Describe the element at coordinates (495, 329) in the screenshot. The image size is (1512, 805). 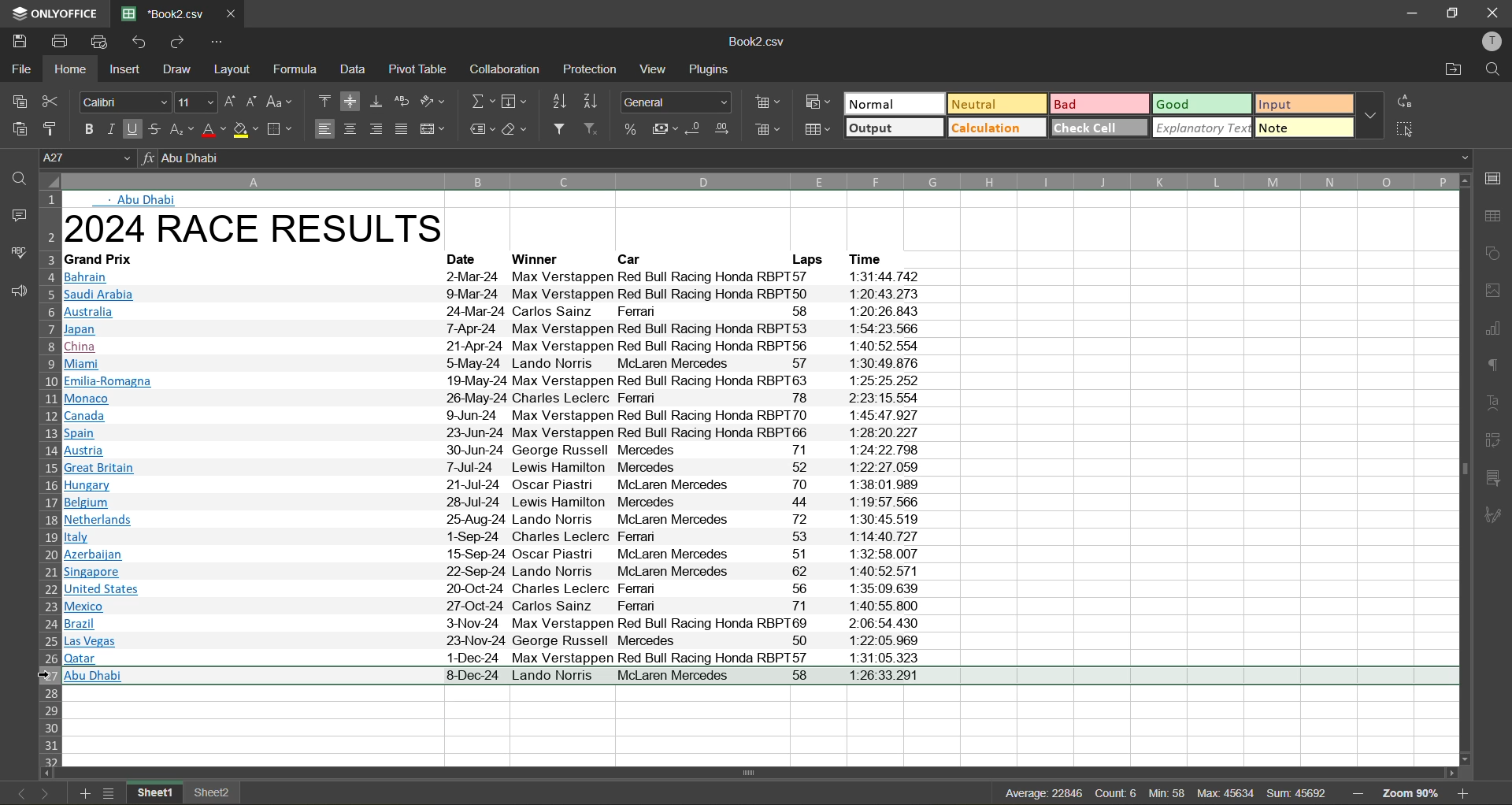
I see `text info` at that location.